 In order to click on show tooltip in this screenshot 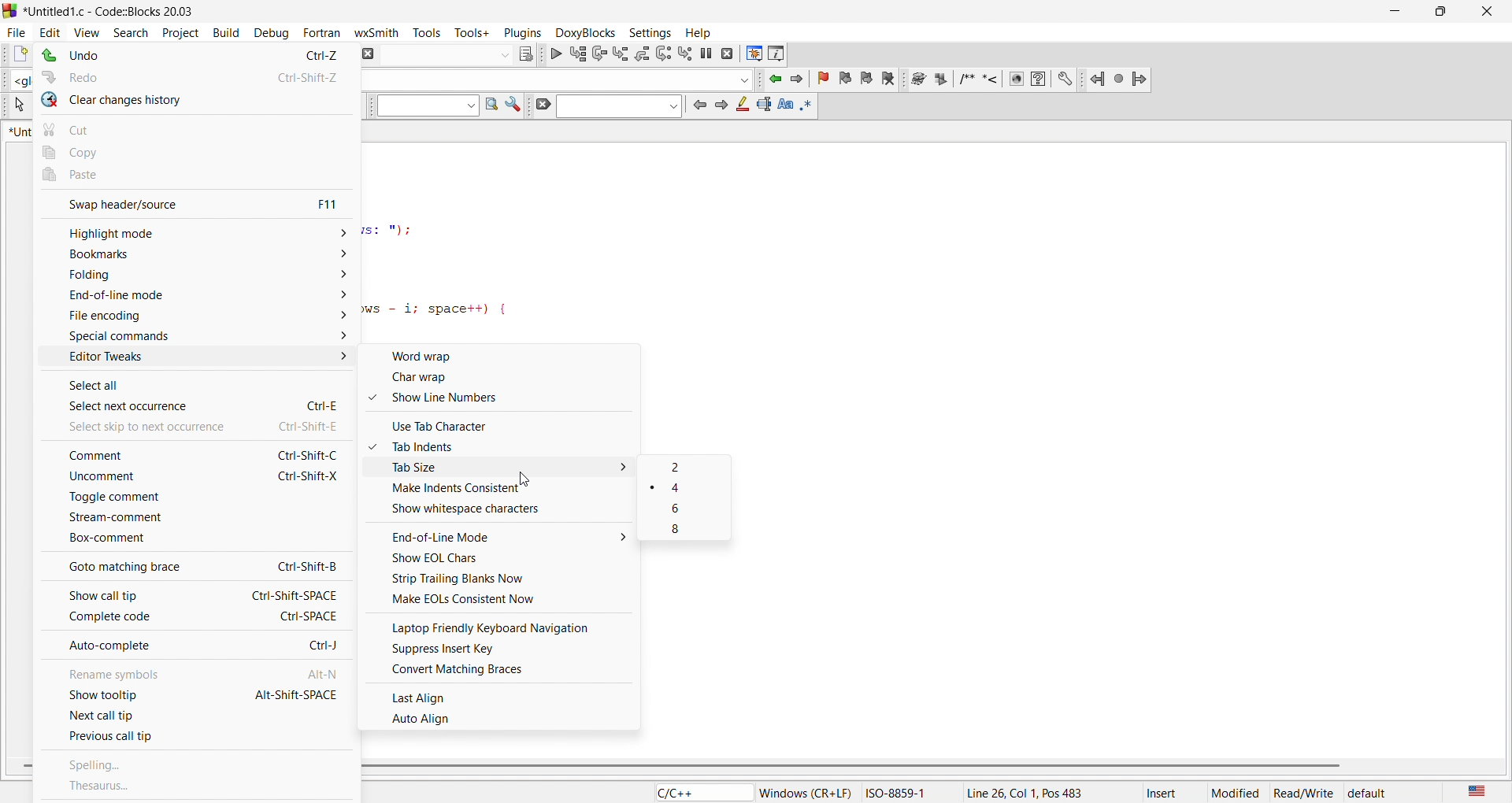, I will do `click(127, 697)`.